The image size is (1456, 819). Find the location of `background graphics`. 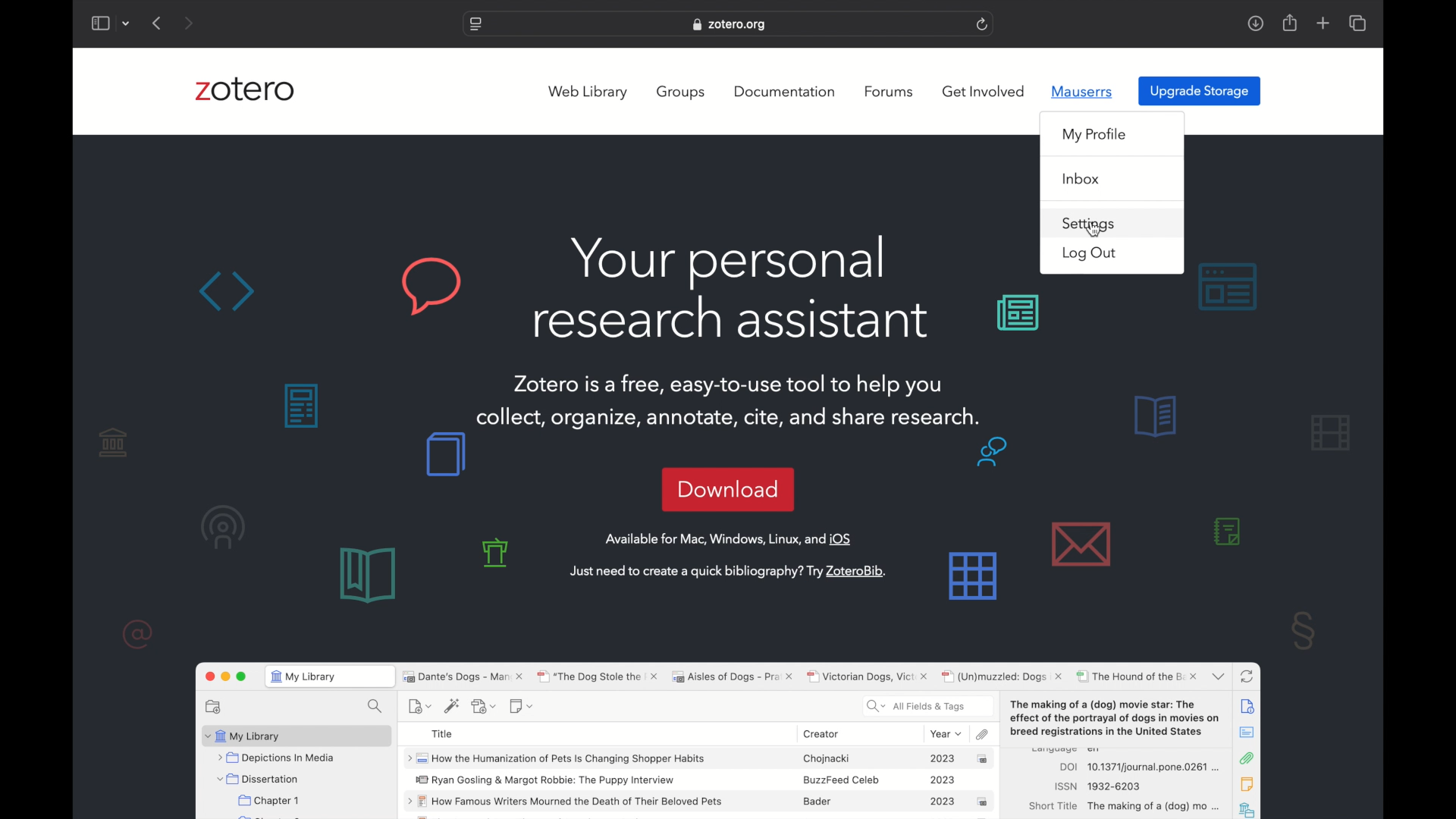

background graphics is located at coordinates (1242, 521).